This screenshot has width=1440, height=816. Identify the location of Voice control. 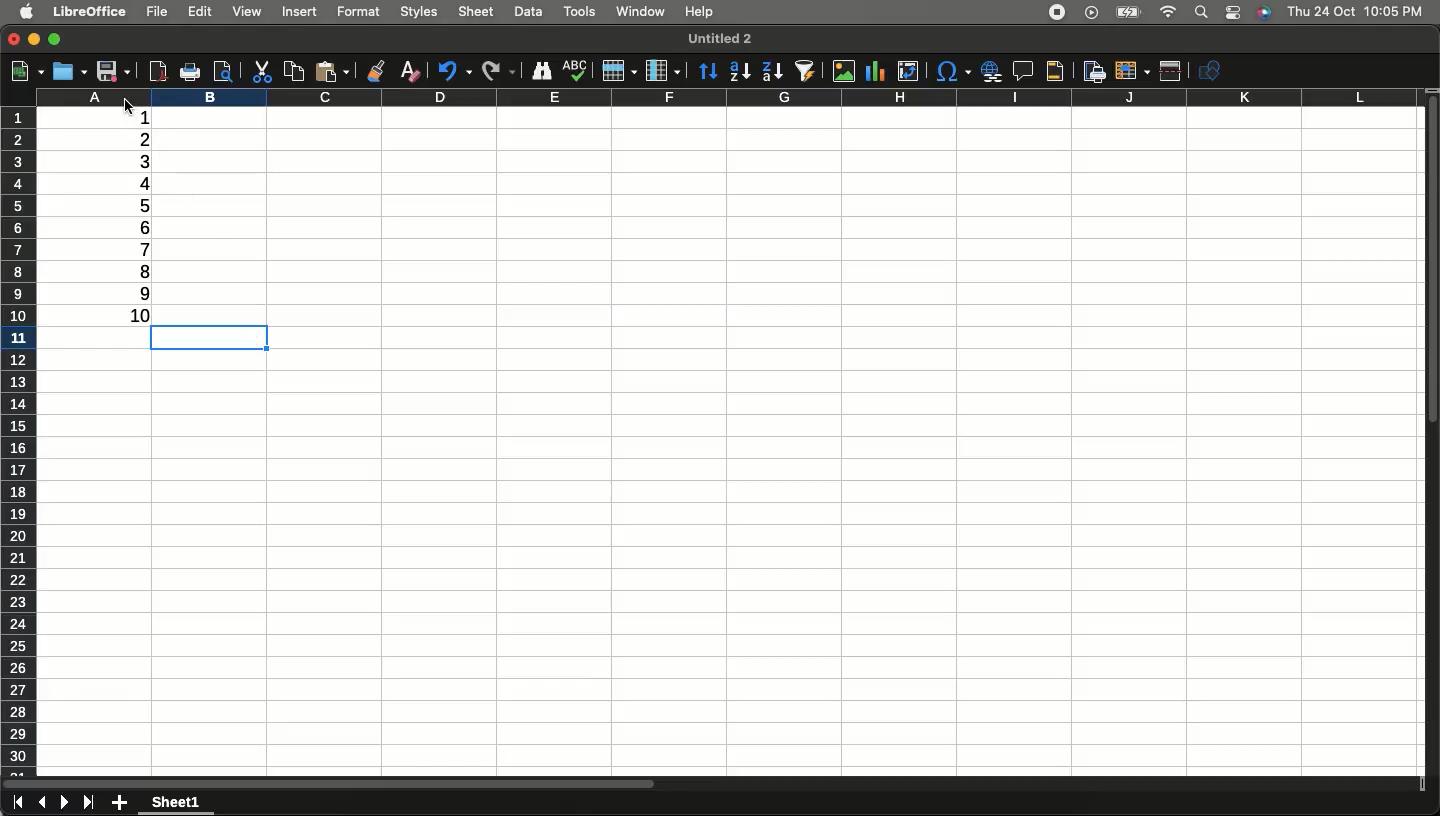
(1263, 13).